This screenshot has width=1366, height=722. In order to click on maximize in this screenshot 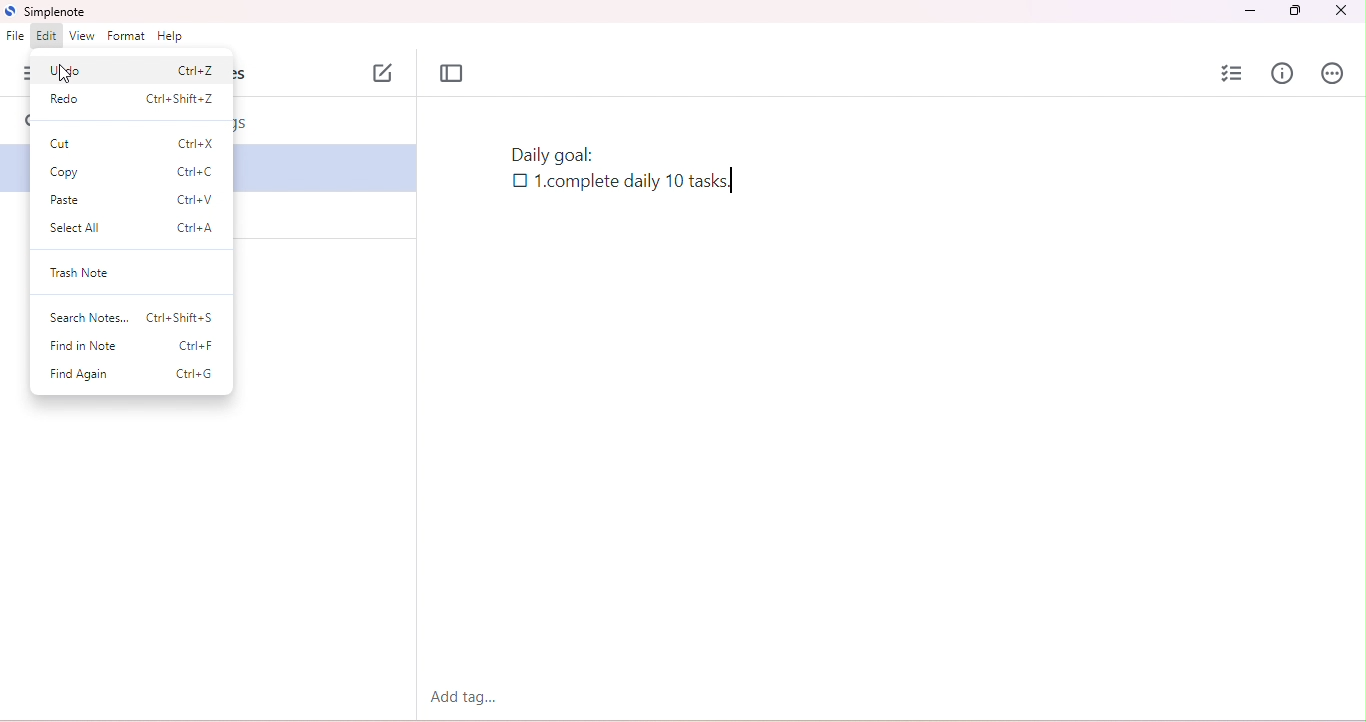, I will do `click(1293, 11)`.